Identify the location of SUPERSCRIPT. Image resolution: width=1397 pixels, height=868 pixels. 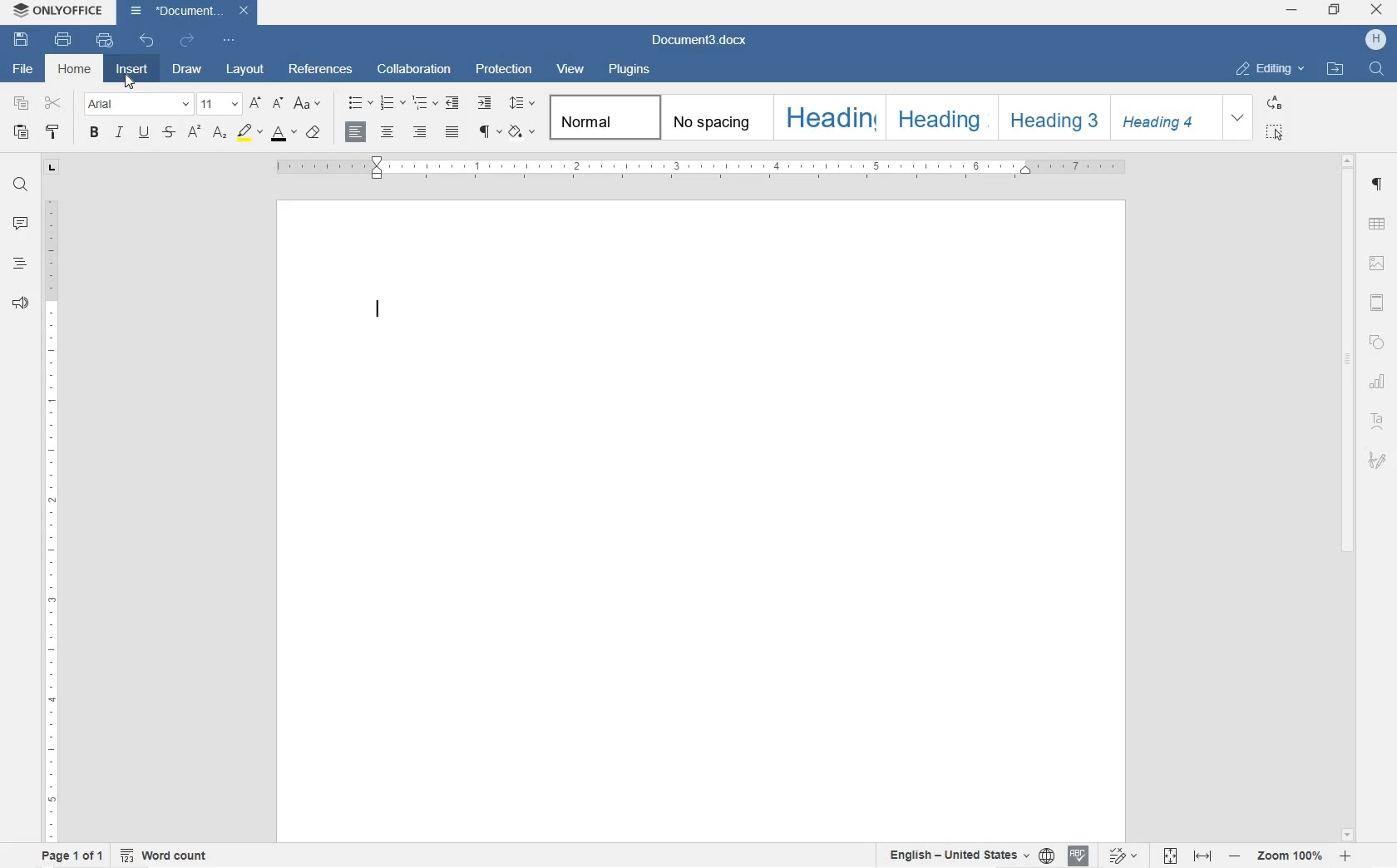
(192, 133).